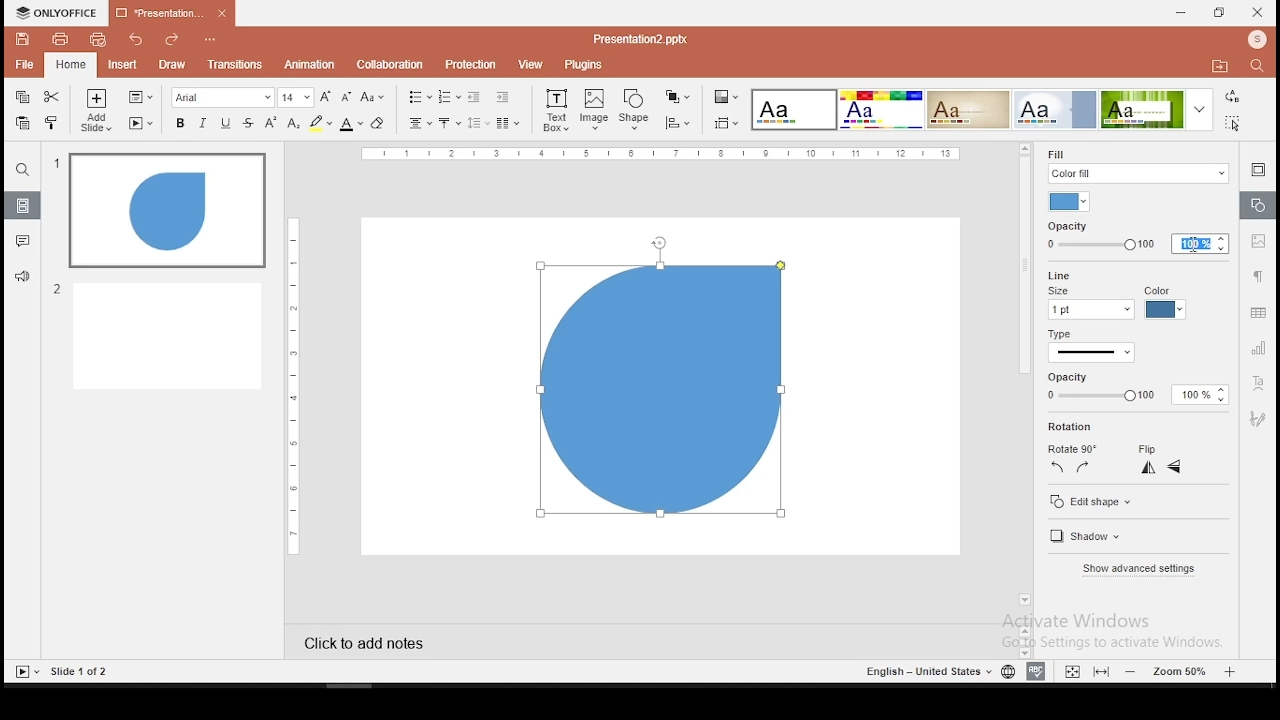 This screenshot has height=720, width=1280. What do you see at coordinates (477, 122) in the screenshot?
I see `spacing` at bounding box center [477, 122].